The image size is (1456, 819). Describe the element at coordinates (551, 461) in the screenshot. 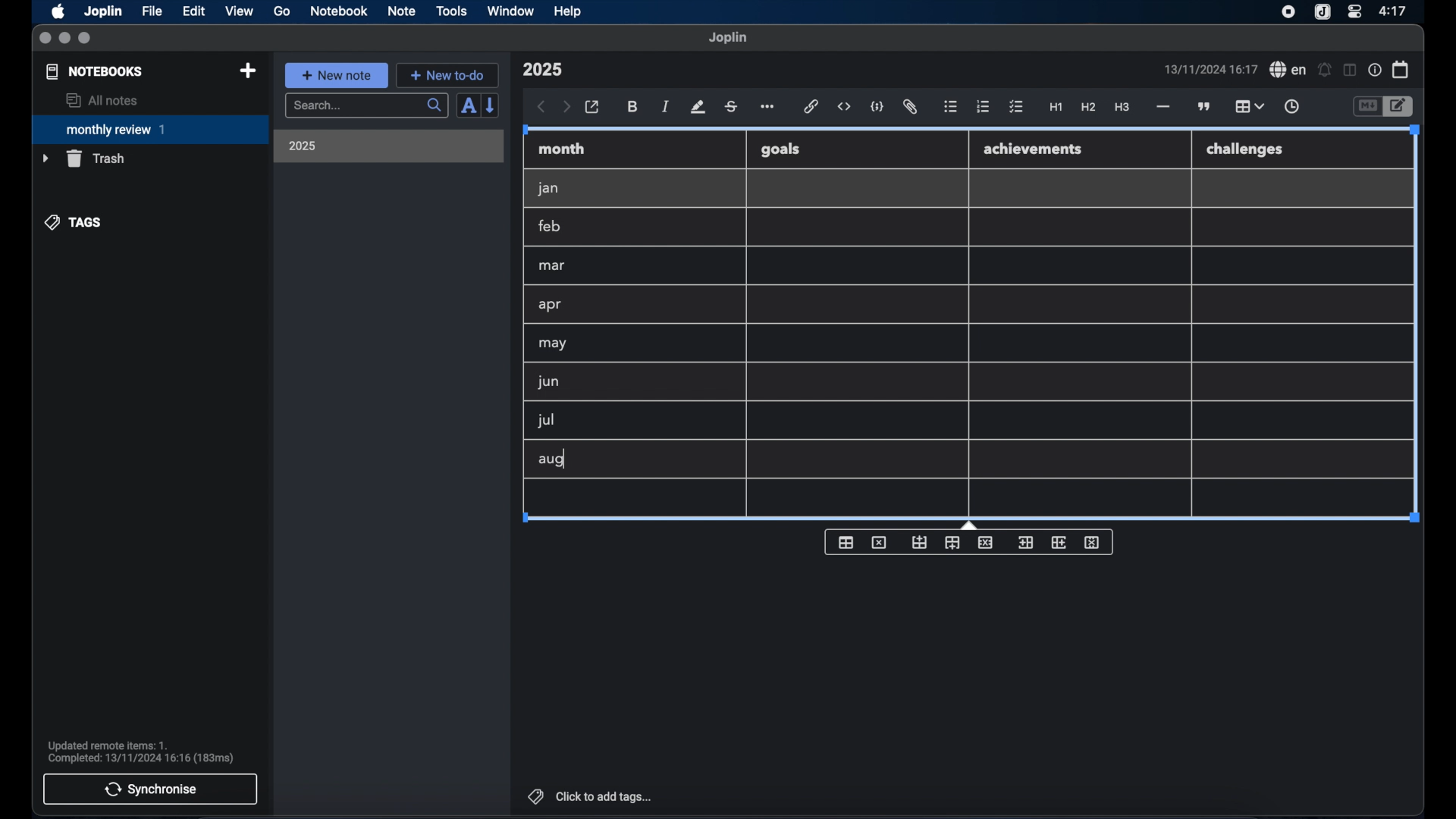

I see `aug` at that location.